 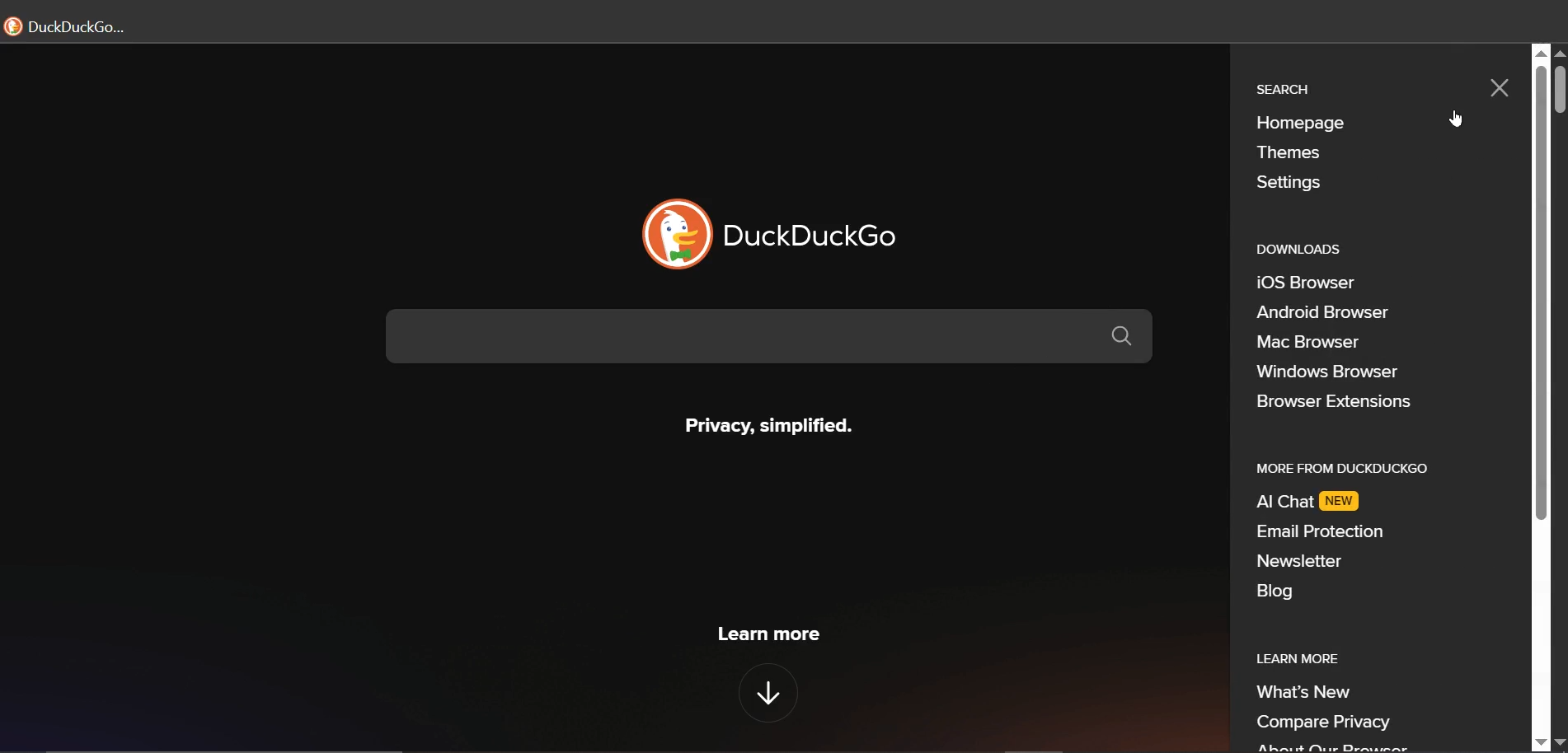 I want to click on Compare Privacy, so click(x=1326, y=723).